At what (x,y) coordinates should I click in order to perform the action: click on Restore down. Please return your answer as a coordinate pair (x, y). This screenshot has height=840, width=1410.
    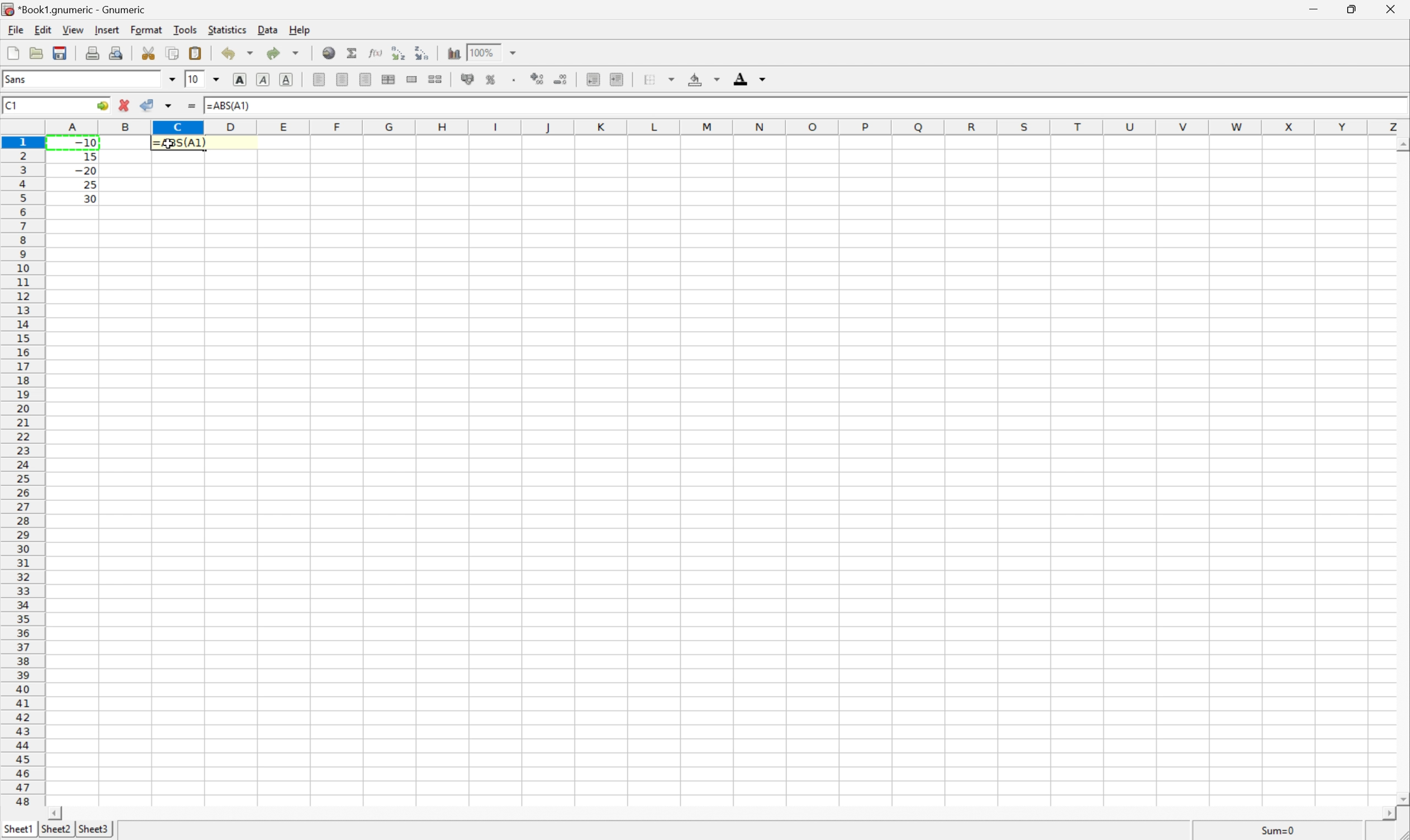
    Looking at the image, I should click on (1349, 10).